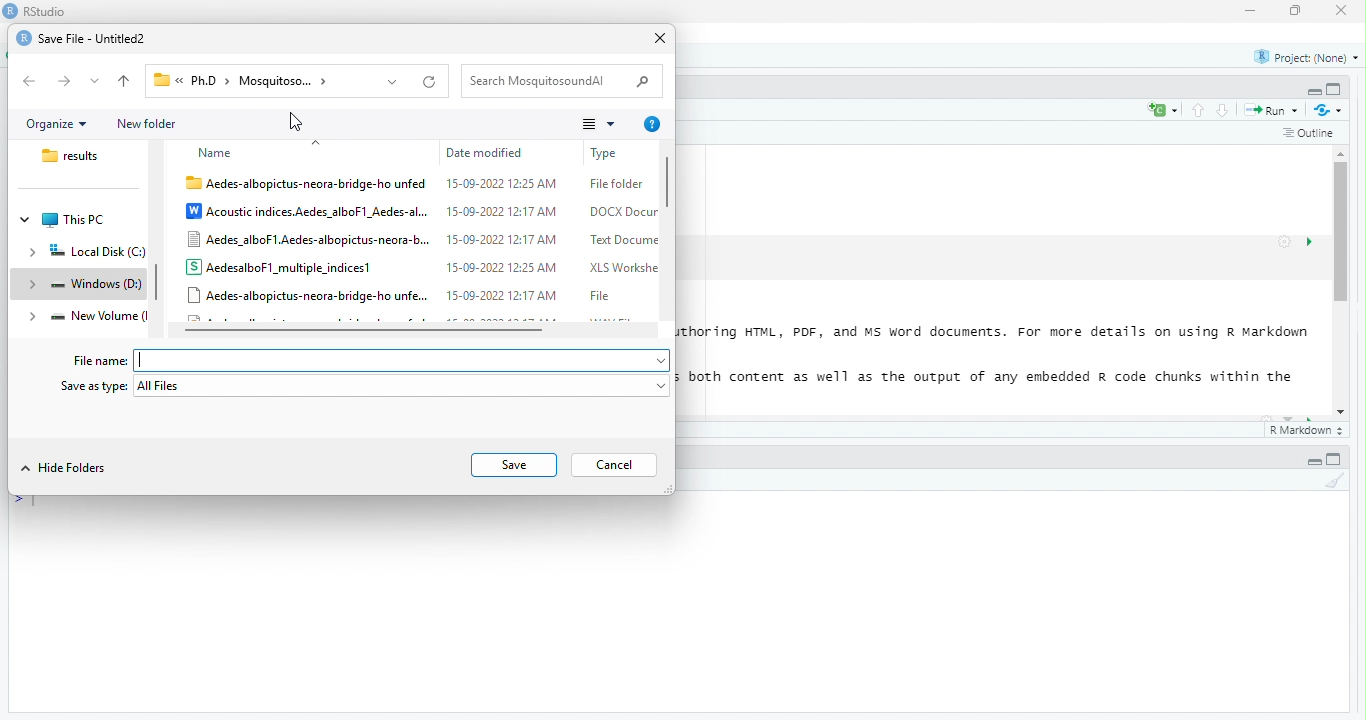  I want to click on close, so click(662, 39).